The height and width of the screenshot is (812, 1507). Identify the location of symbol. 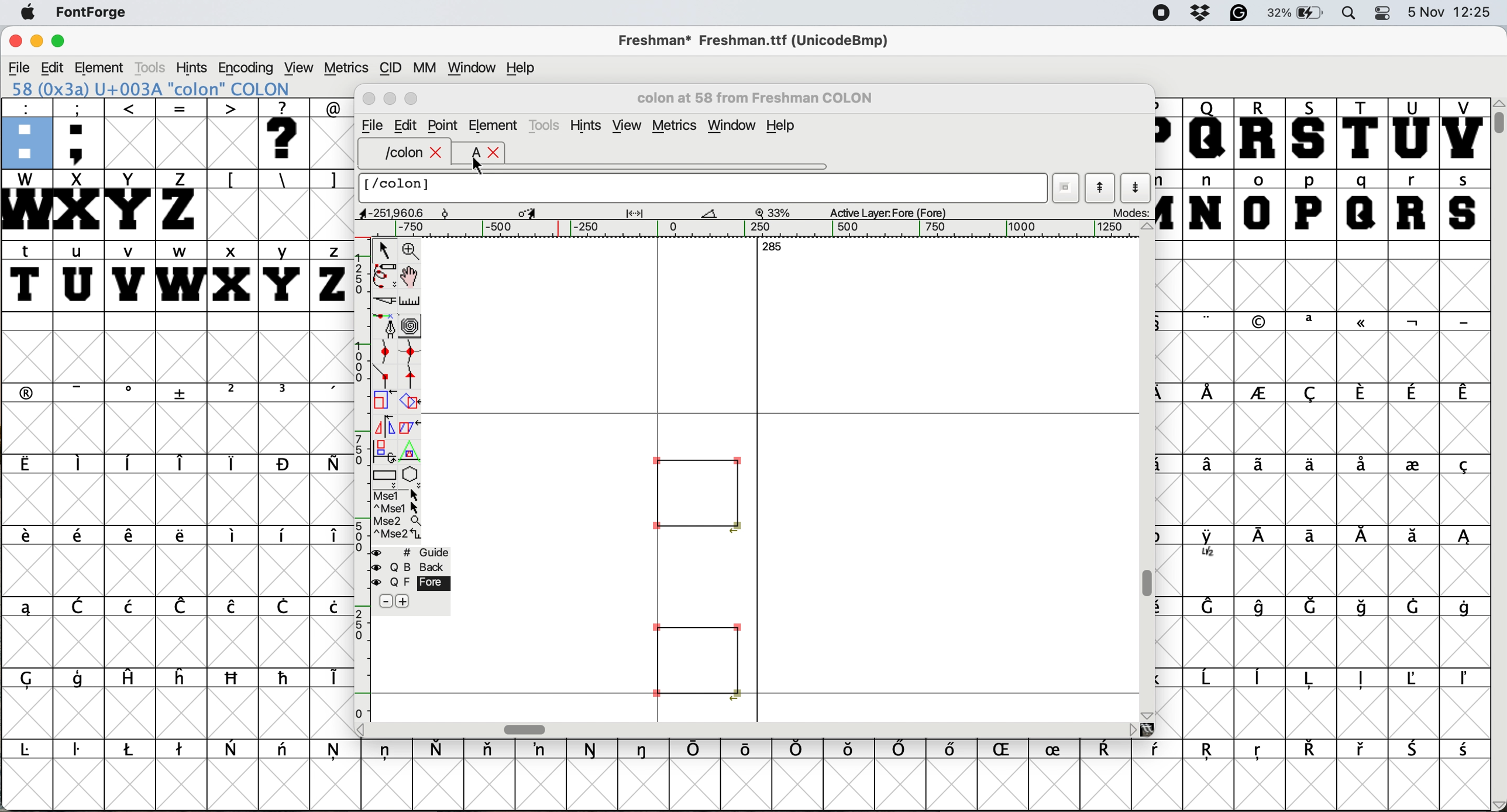
(798, 749).